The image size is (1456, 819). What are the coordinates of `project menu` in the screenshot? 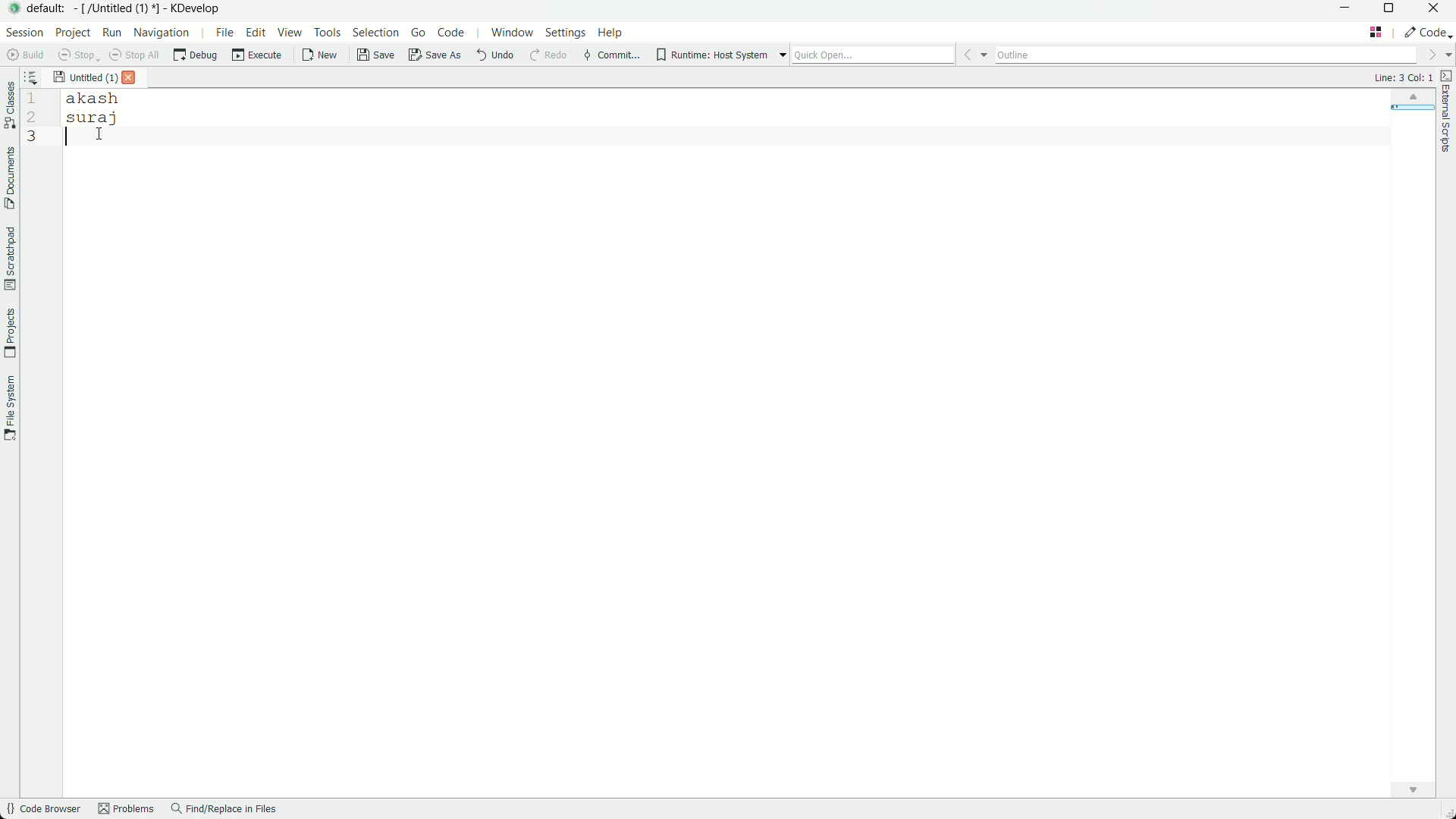 It's located at (74, 32).